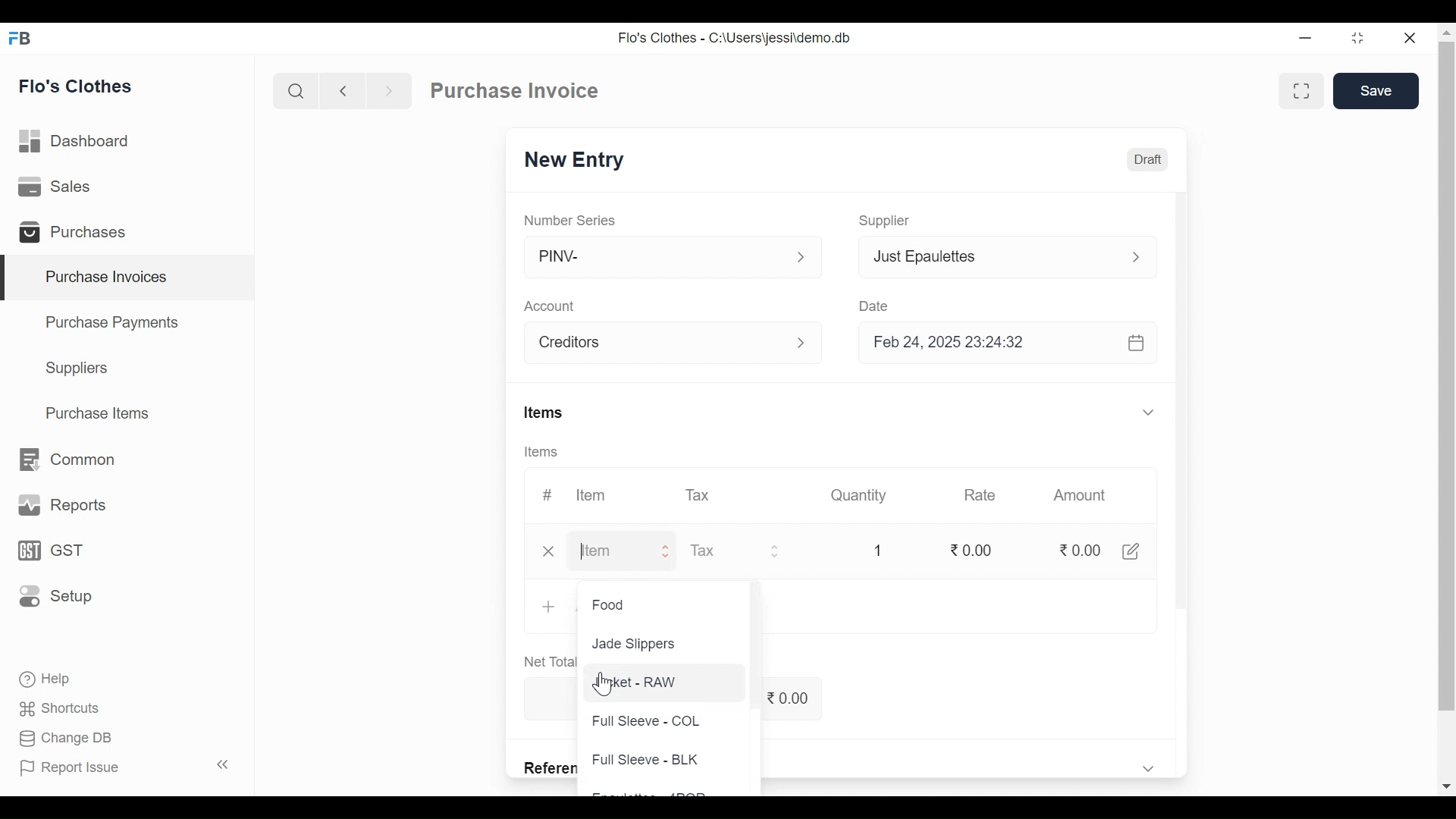 The image size is (1456, 819). I want to click on Tax, so click(699, 496).